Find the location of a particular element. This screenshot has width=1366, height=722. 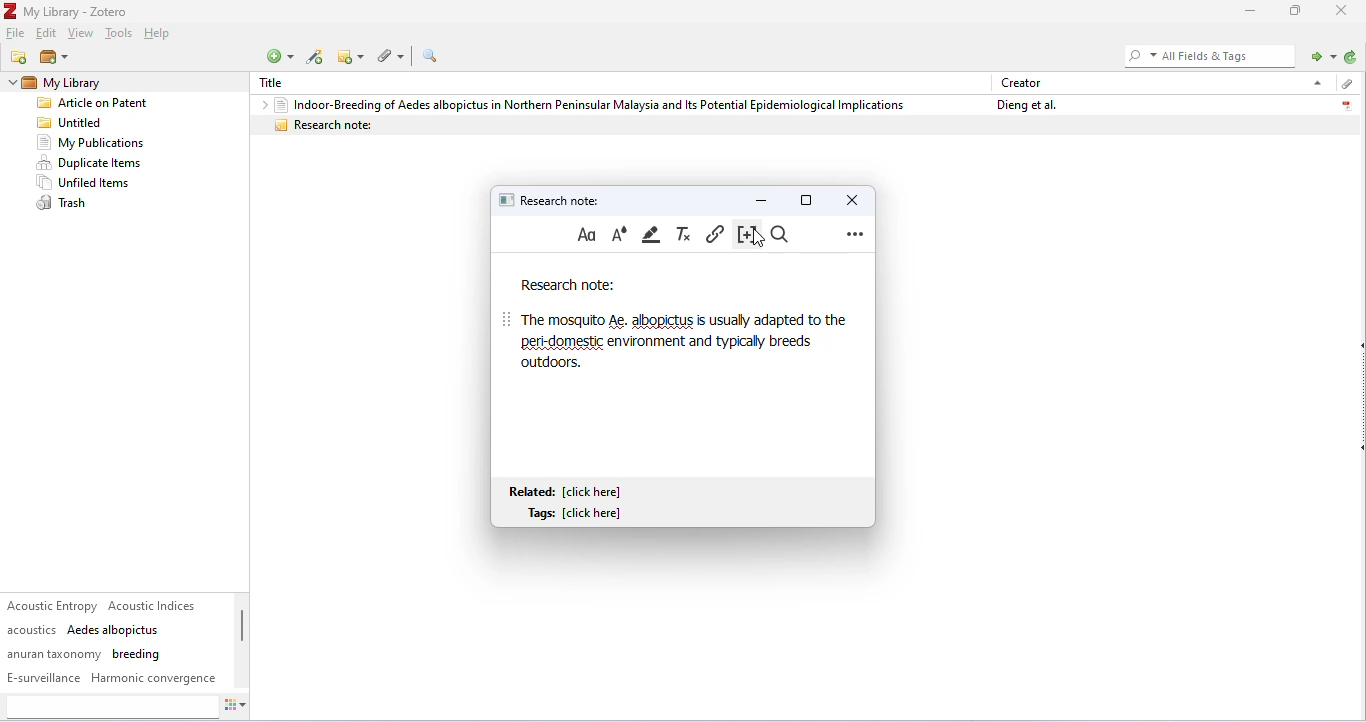

unfiled items is located at coordinates (87, 183).